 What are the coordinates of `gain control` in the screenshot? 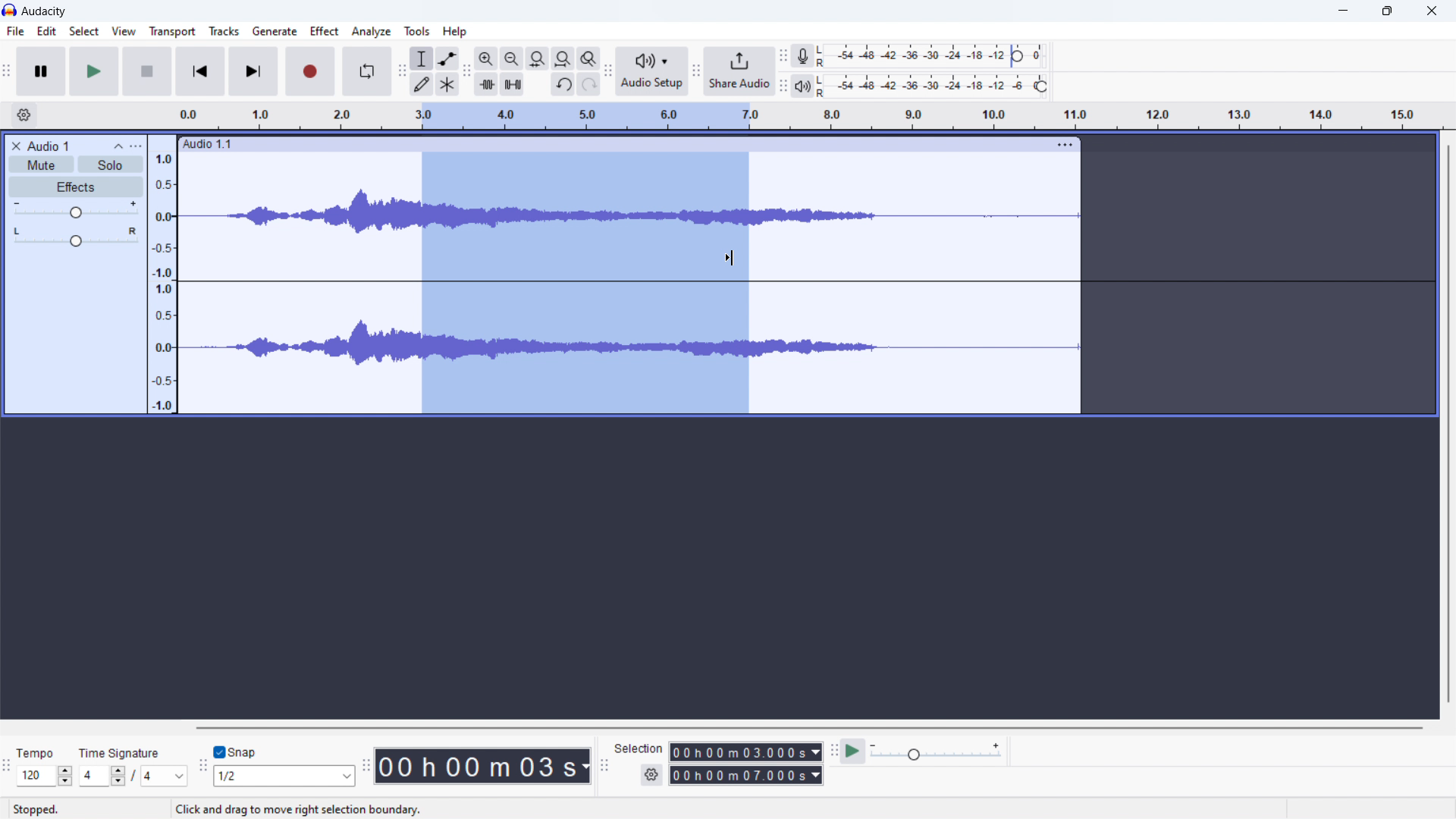 It's located at (75, 211).